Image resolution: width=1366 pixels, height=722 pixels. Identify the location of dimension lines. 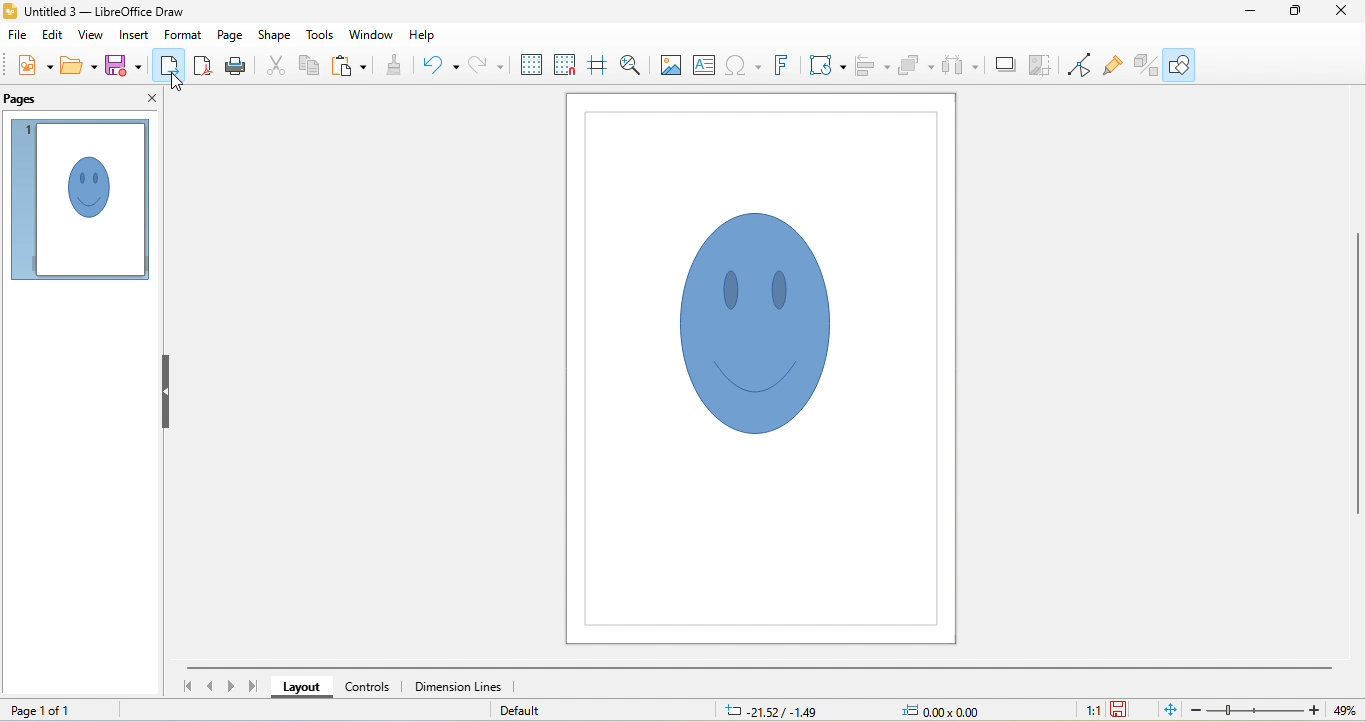
(458, 685).